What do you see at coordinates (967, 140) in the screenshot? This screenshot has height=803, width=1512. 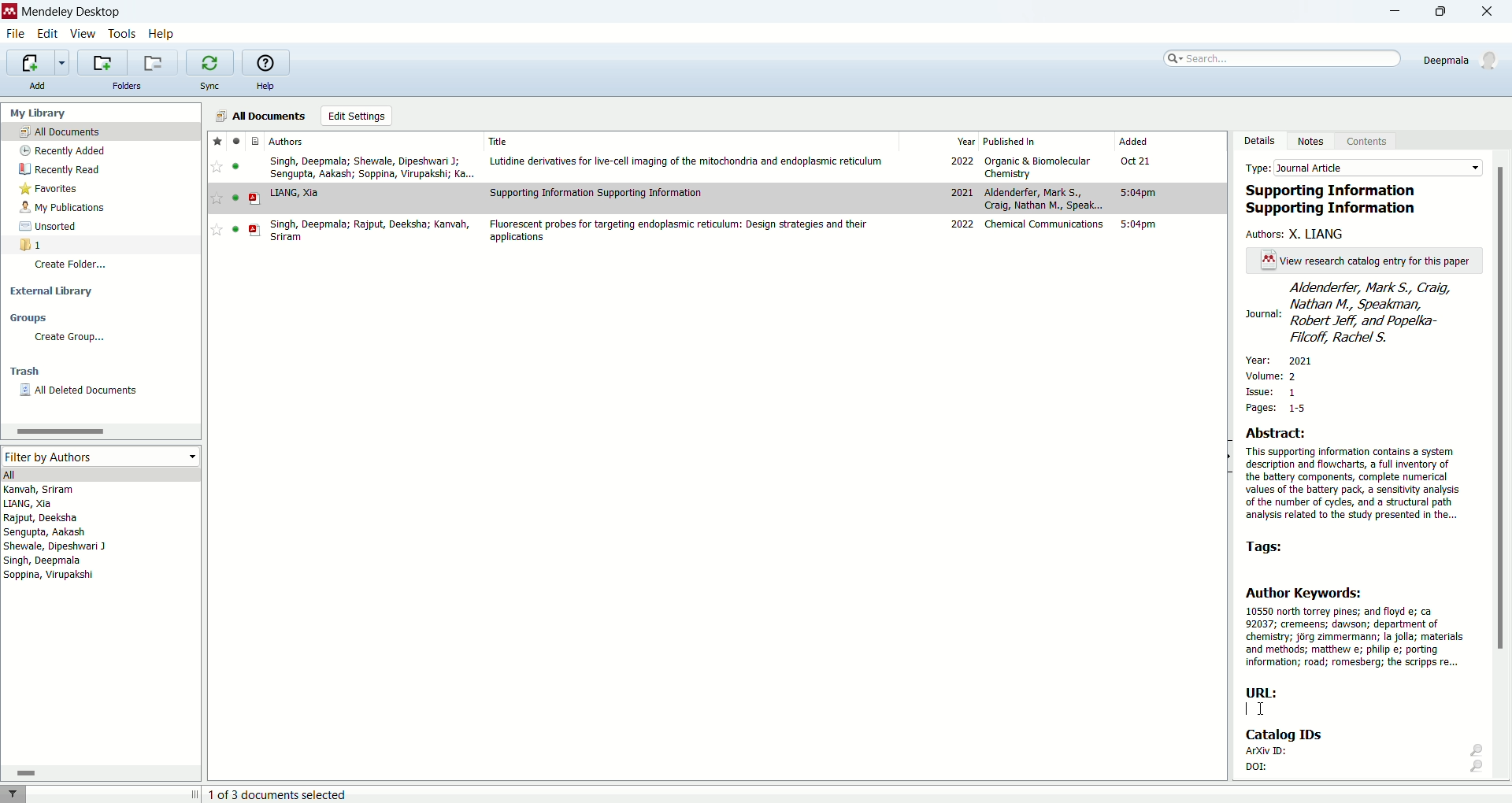 I see `year` at bounding box center [967, 140].